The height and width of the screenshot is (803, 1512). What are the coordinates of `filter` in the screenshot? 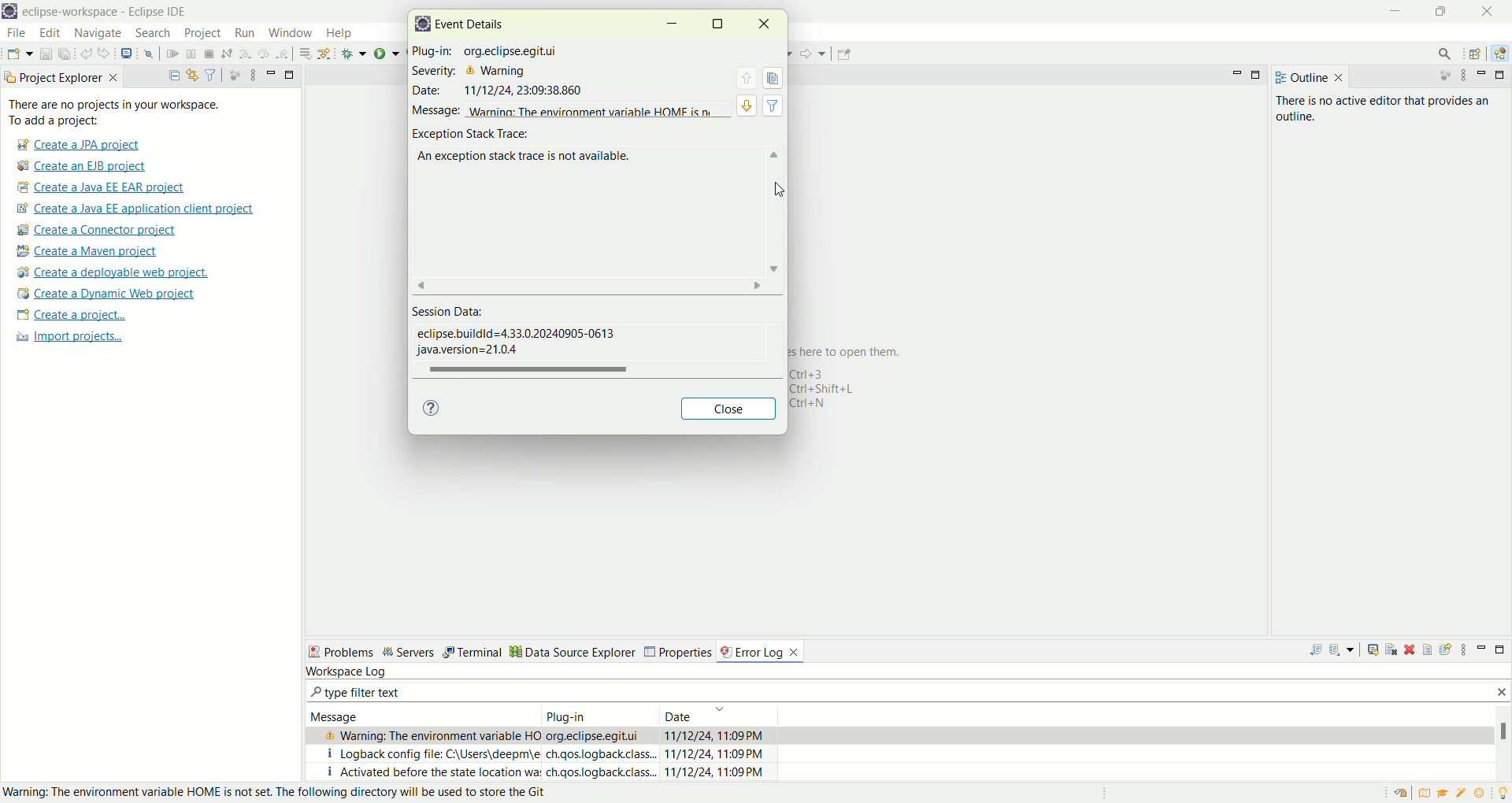 It's located at (1429, 649).